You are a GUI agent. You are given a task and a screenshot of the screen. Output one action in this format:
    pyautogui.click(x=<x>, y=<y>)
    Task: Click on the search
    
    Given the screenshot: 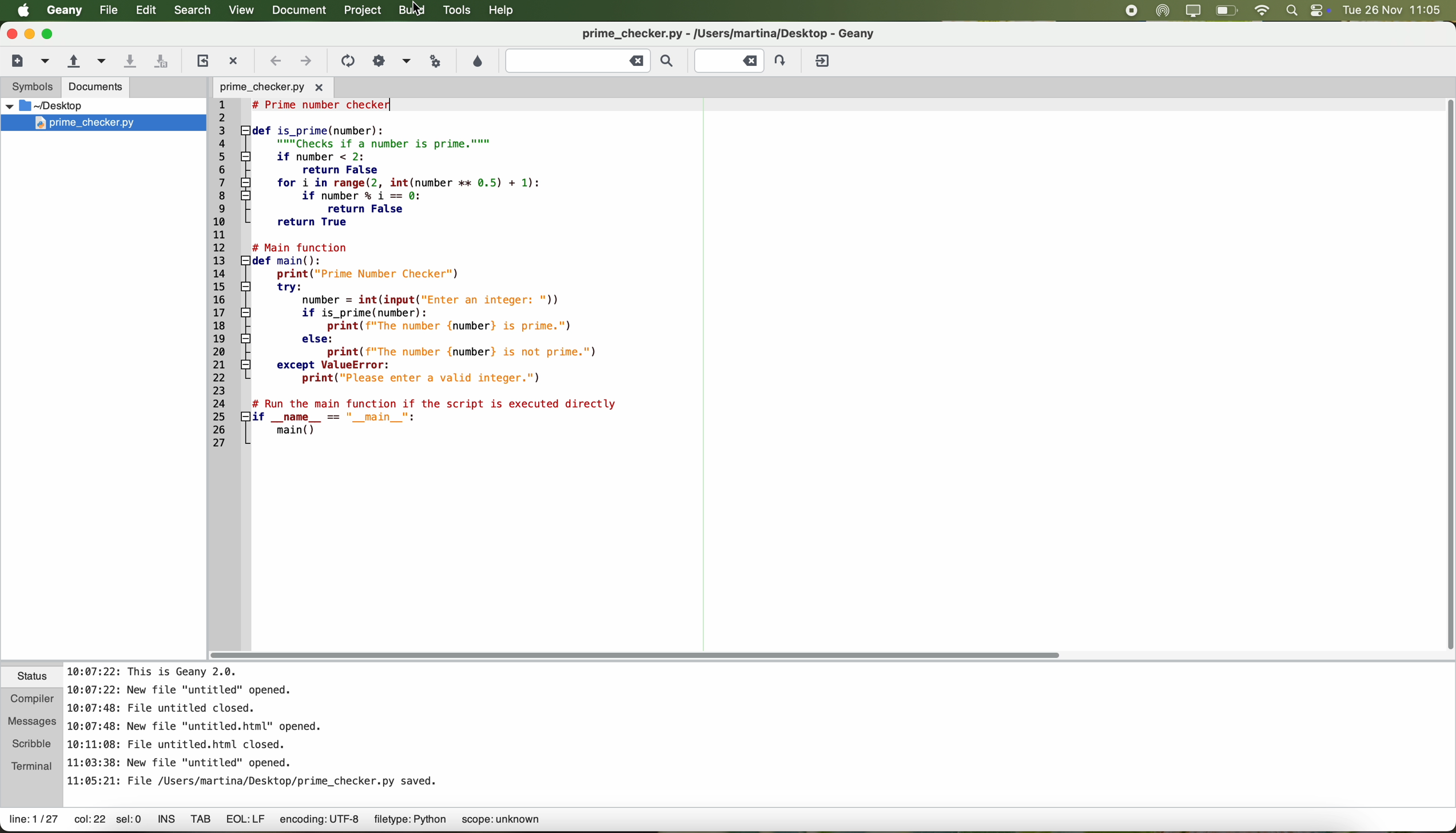 What is the action you would take?
    pyautogui.click(x=192, y=11)
    